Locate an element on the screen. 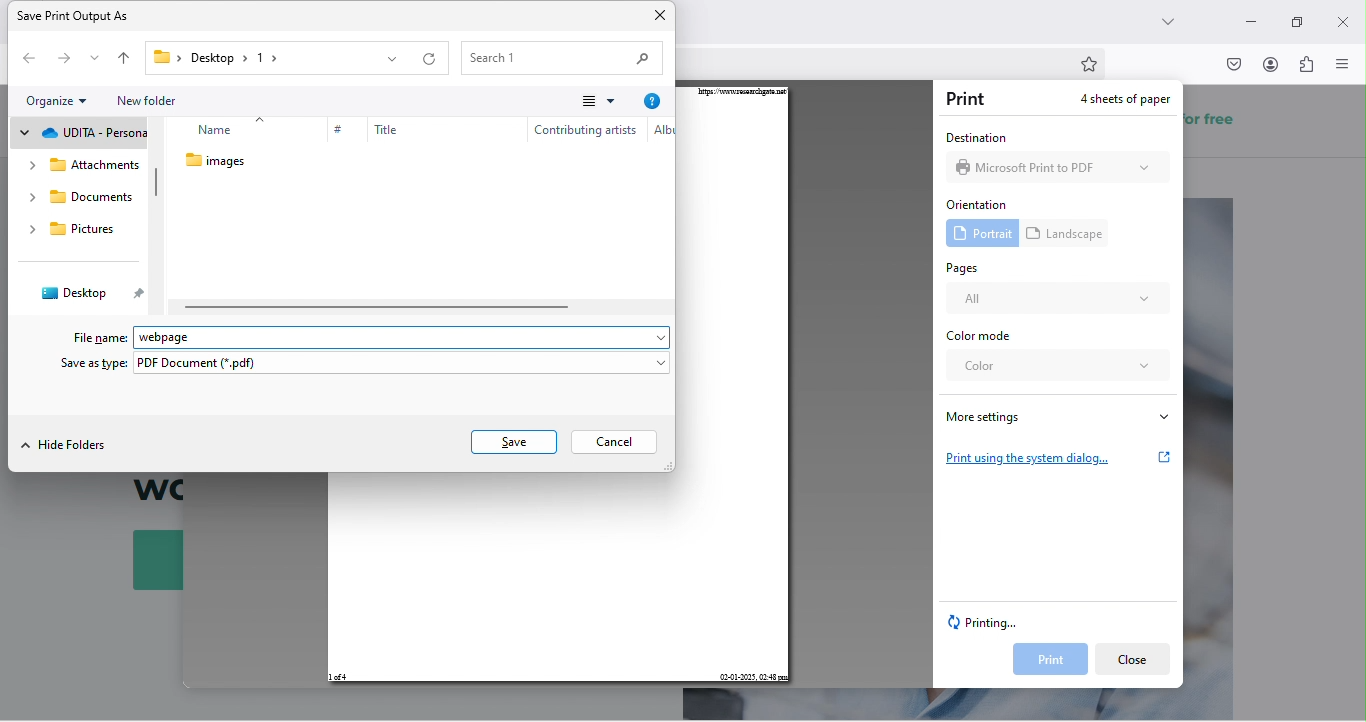 This screenshot has width=1366, height=722. horizontal scroll bar is located at coordinates (376, 307).